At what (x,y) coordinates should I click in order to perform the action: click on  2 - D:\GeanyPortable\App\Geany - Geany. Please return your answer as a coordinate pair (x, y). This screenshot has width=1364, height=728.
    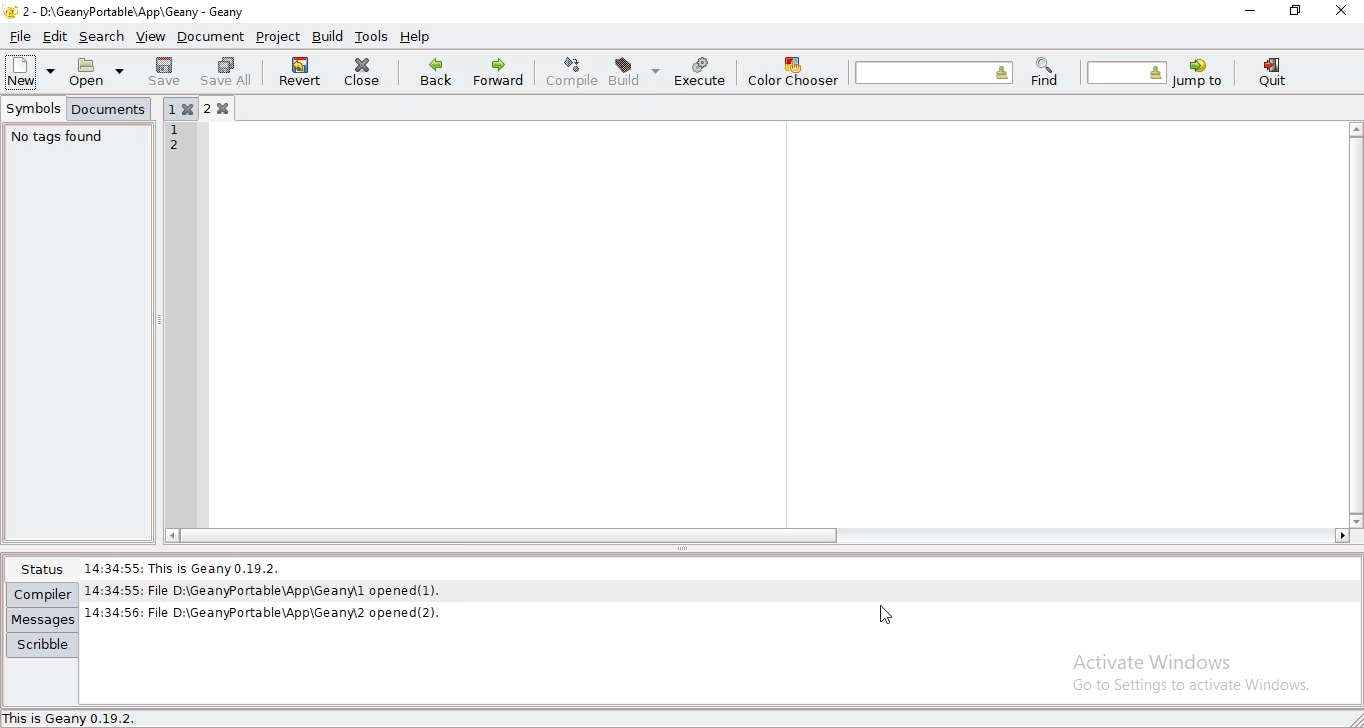
    Looking at the image, I should click on (138, 11).